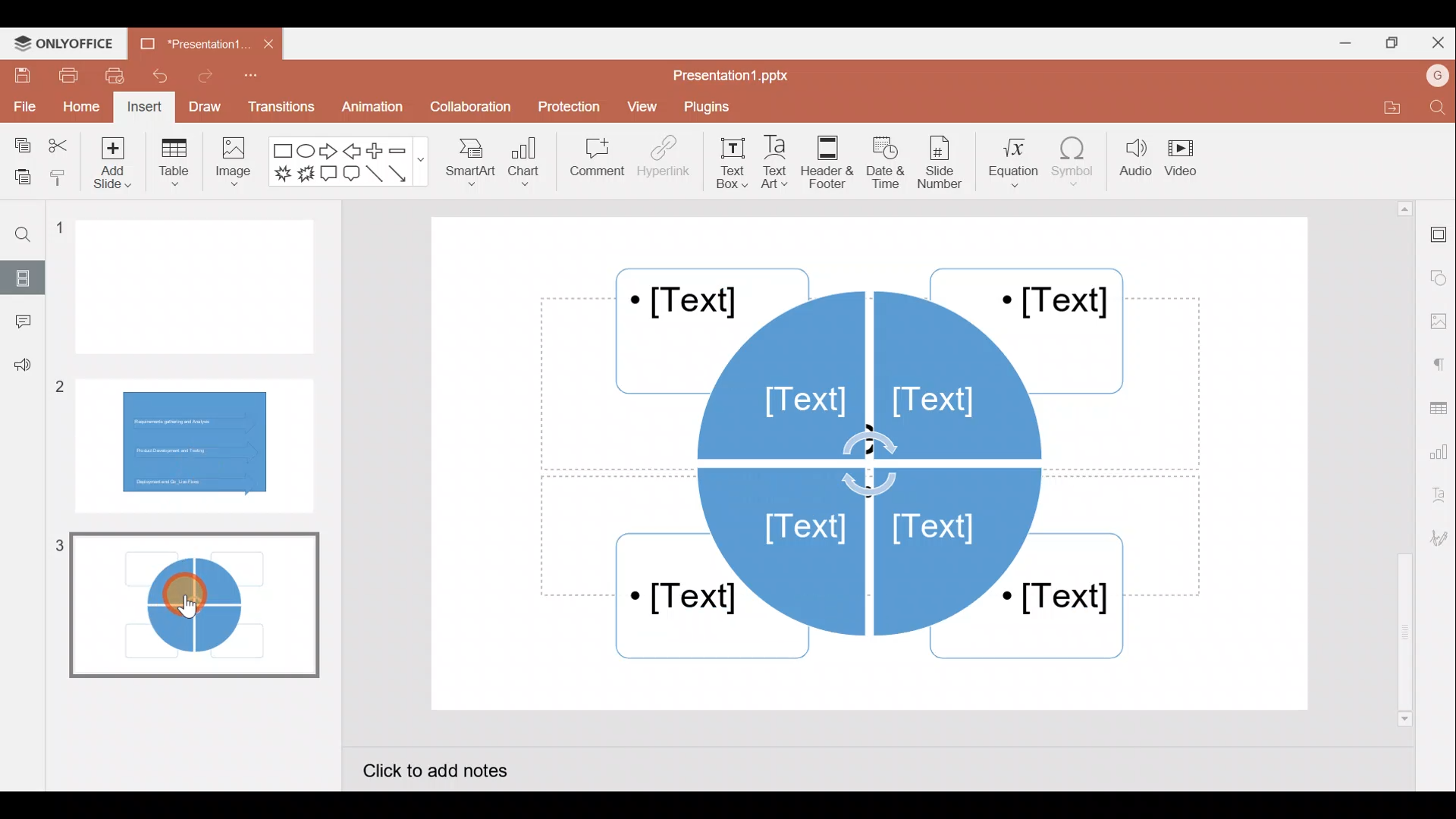 The height and width of the screenshot is (819, 1456). Describe the element at coordinates (375, 149) in the screenshot. I see `Plus` at that location.